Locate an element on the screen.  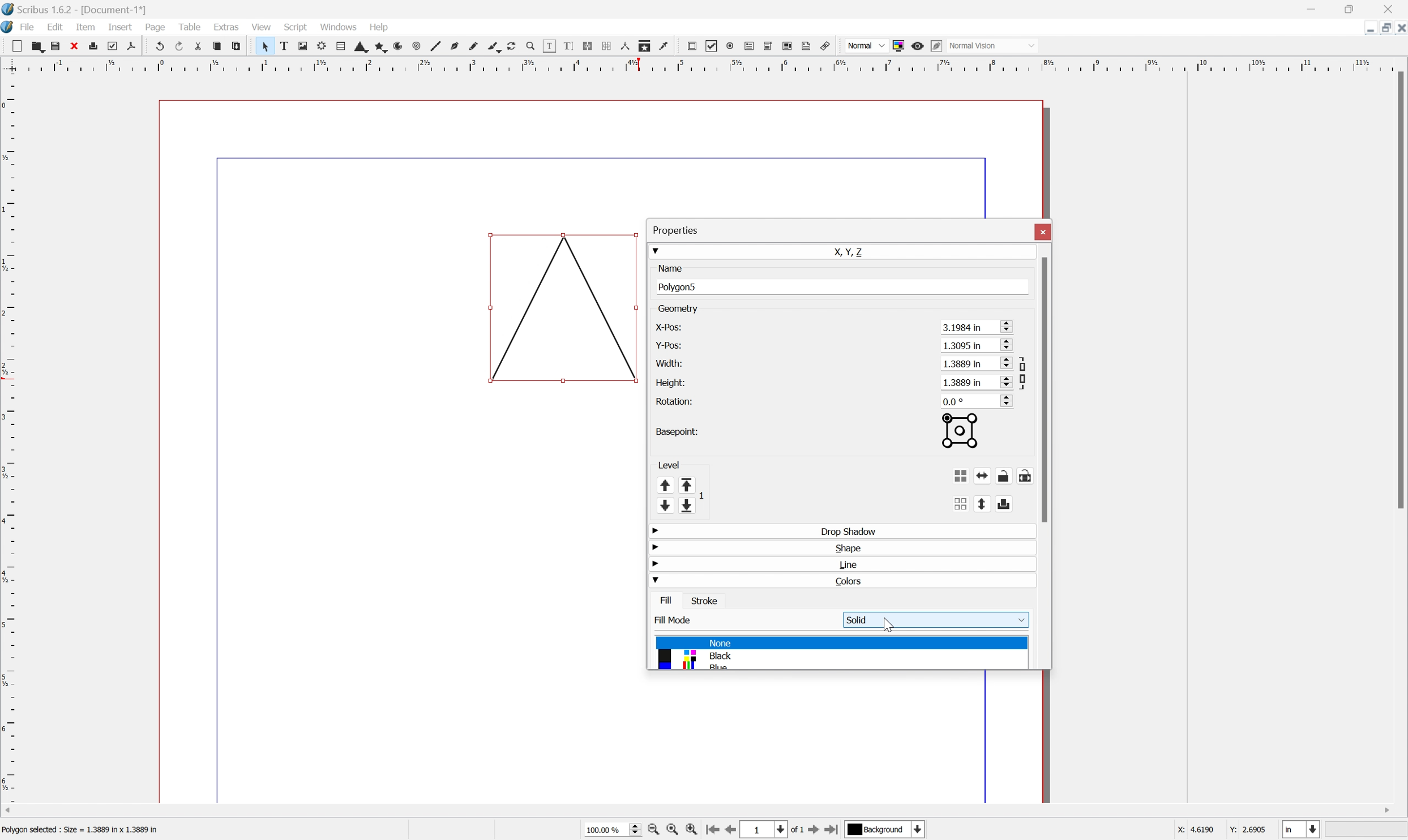
Flip vertically is located at coordinates (995, 503).